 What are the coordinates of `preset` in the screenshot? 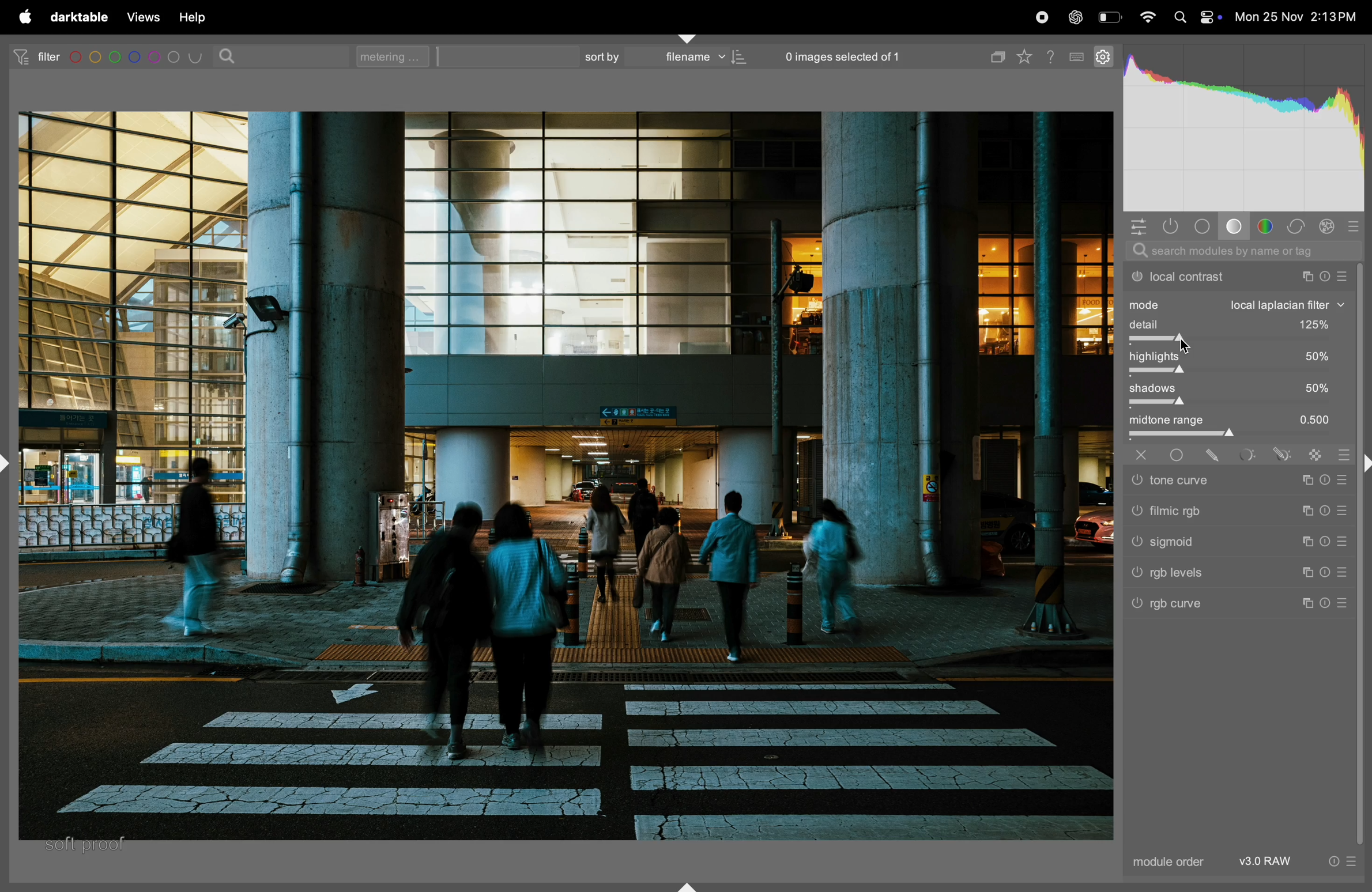 It's located at (1352, 860).